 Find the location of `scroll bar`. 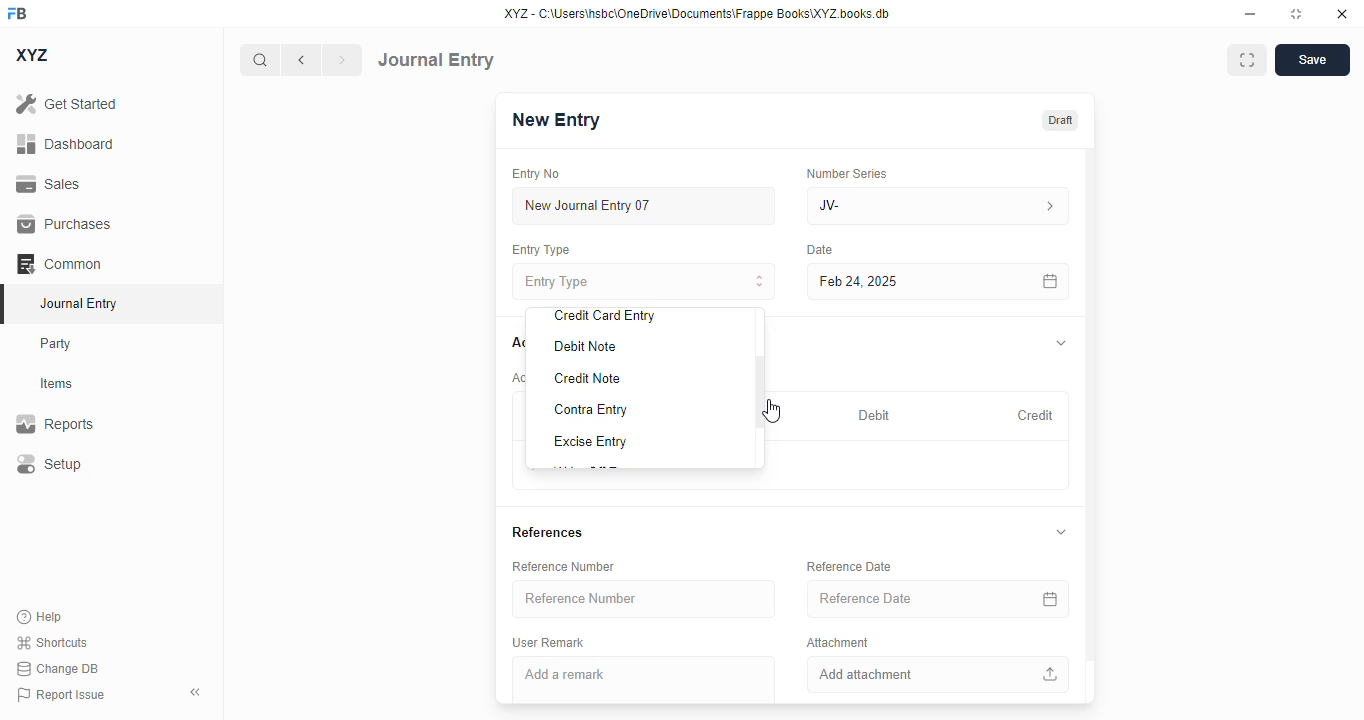

scroll bar is located at coordinates (761, 389).